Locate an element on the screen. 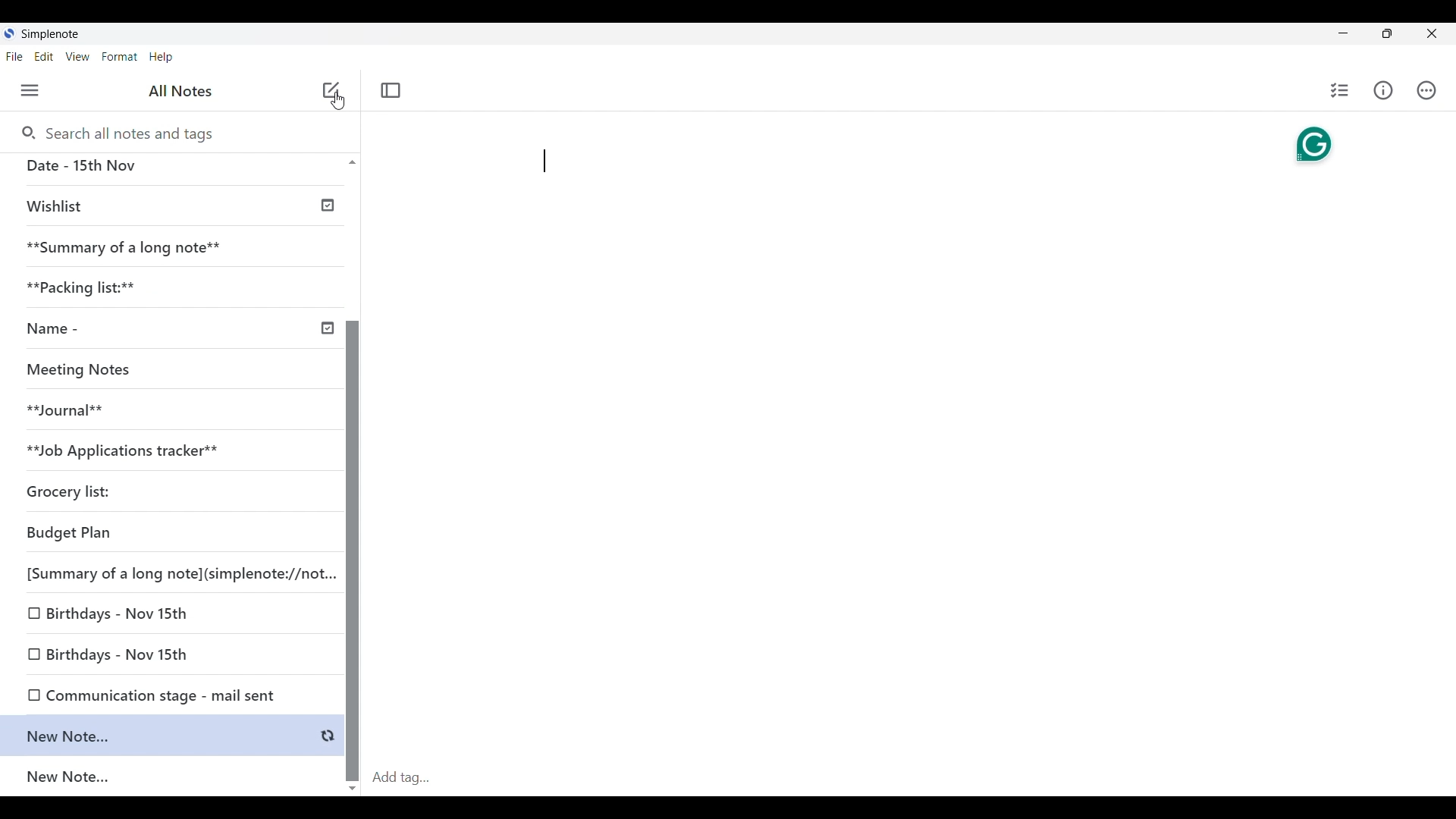   is located at coordinates (335, 126).